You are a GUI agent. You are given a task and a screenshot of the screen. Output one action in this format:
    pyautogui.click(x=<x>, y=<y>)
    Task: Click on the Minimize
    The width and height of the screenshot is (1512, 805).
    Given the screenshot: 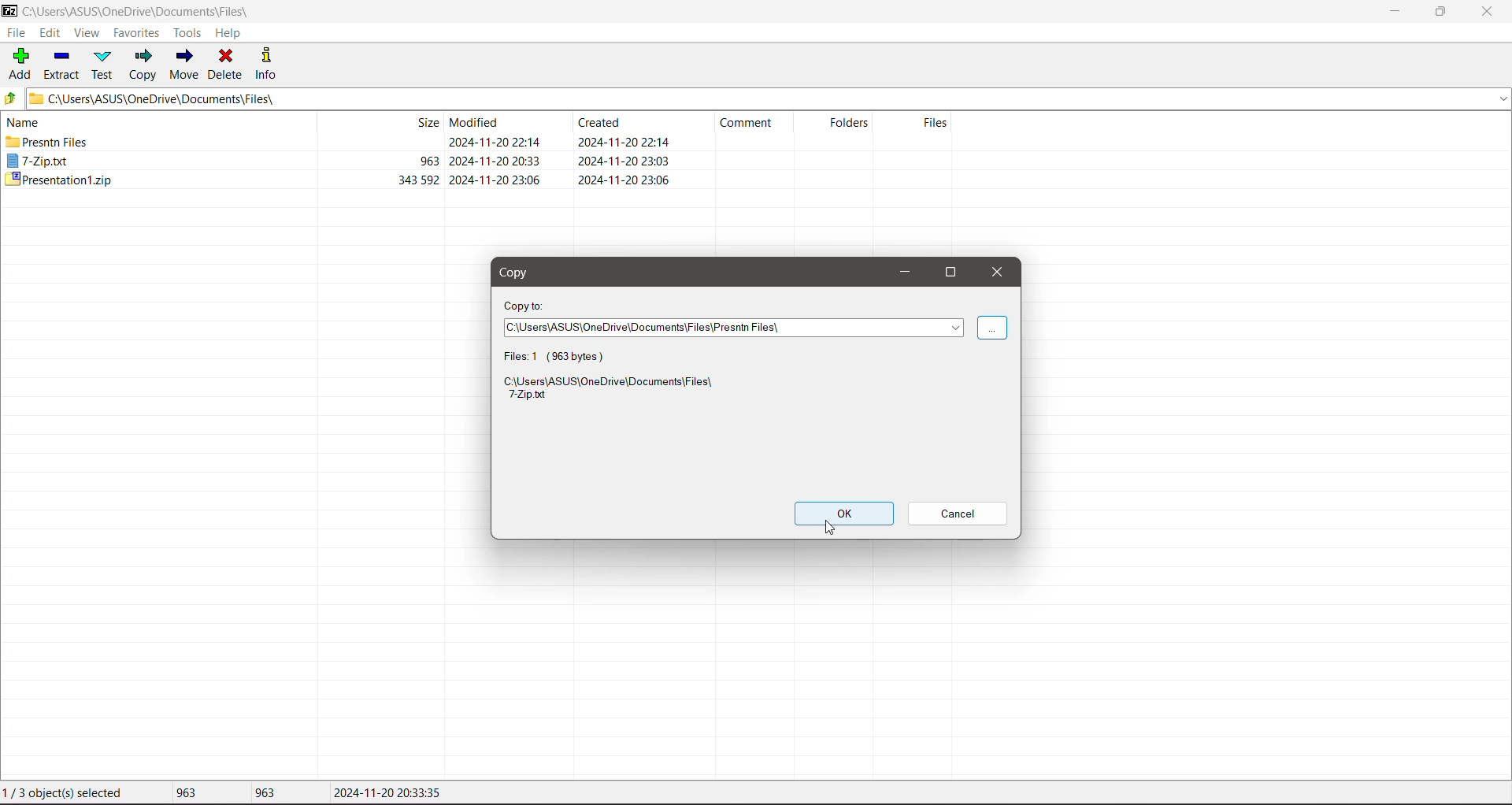 What is the action you would take?
    pyautogui.click(x=1393, y=11)
    